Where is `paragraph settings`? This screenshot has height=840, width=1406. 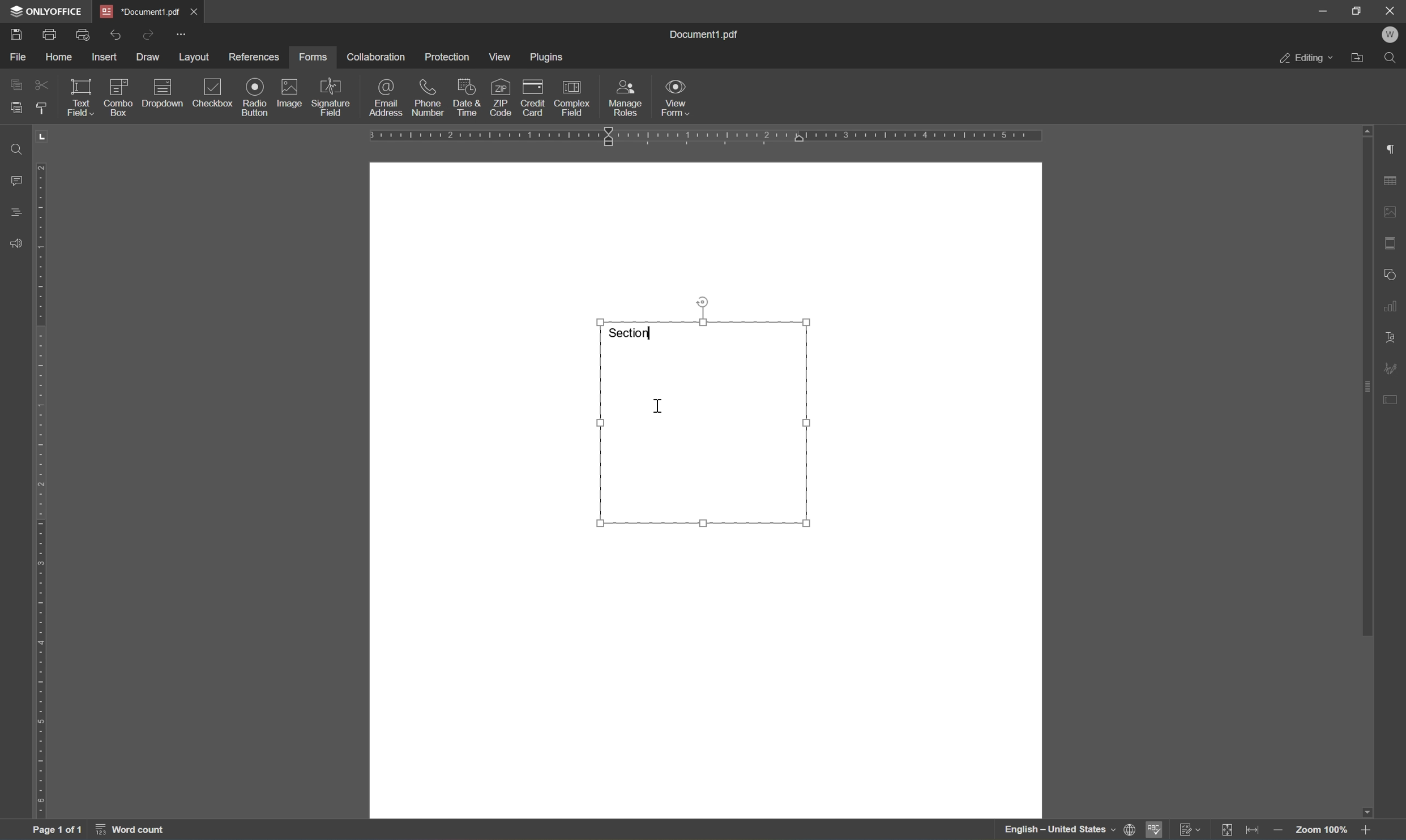
paragraph settings is located at coordinates (1394, 150).